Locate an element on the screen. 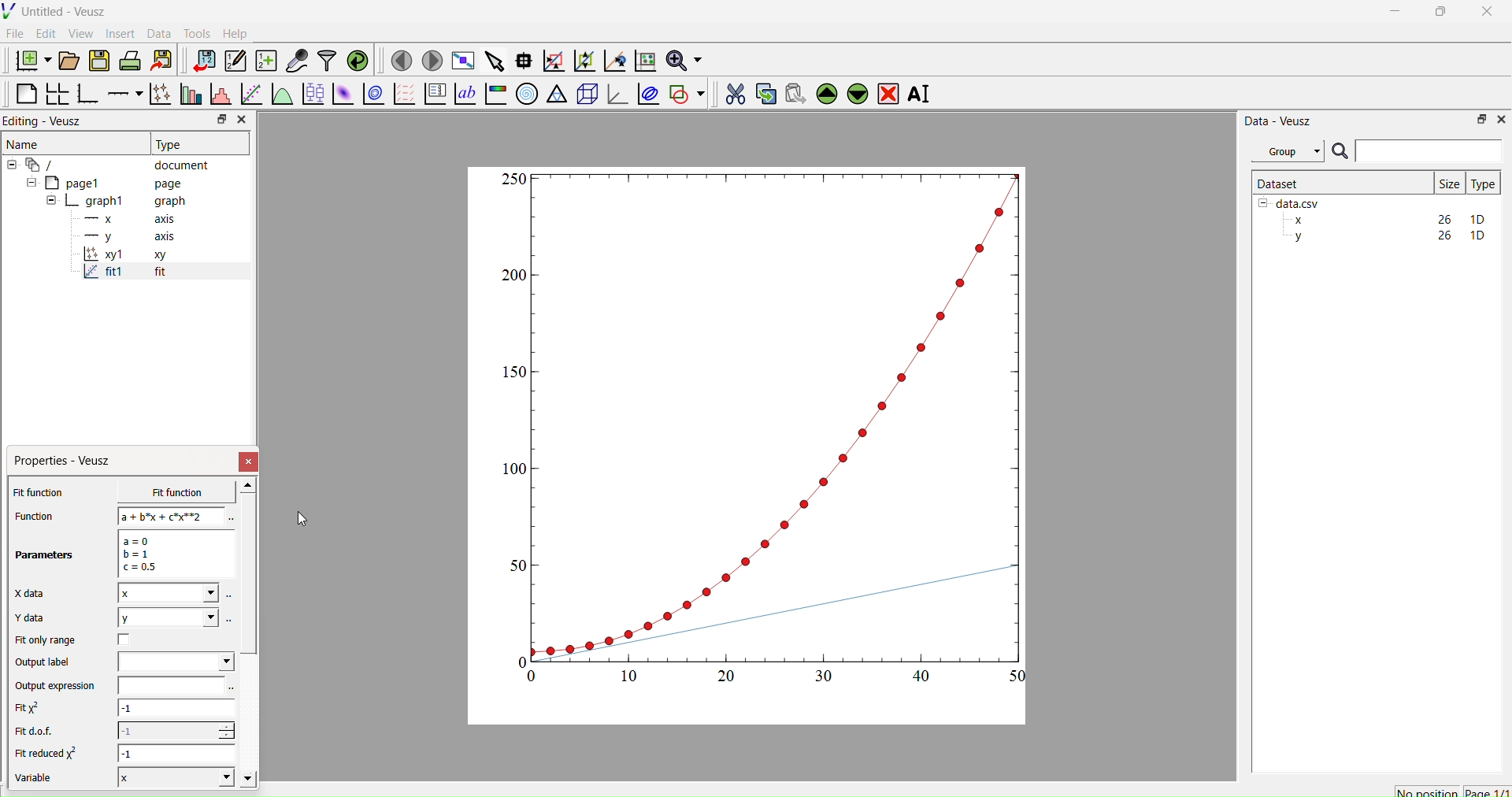 Image resolution: width=1512 pixels, height=797 pixels. Image color bar is located at coordinates (494, 94).